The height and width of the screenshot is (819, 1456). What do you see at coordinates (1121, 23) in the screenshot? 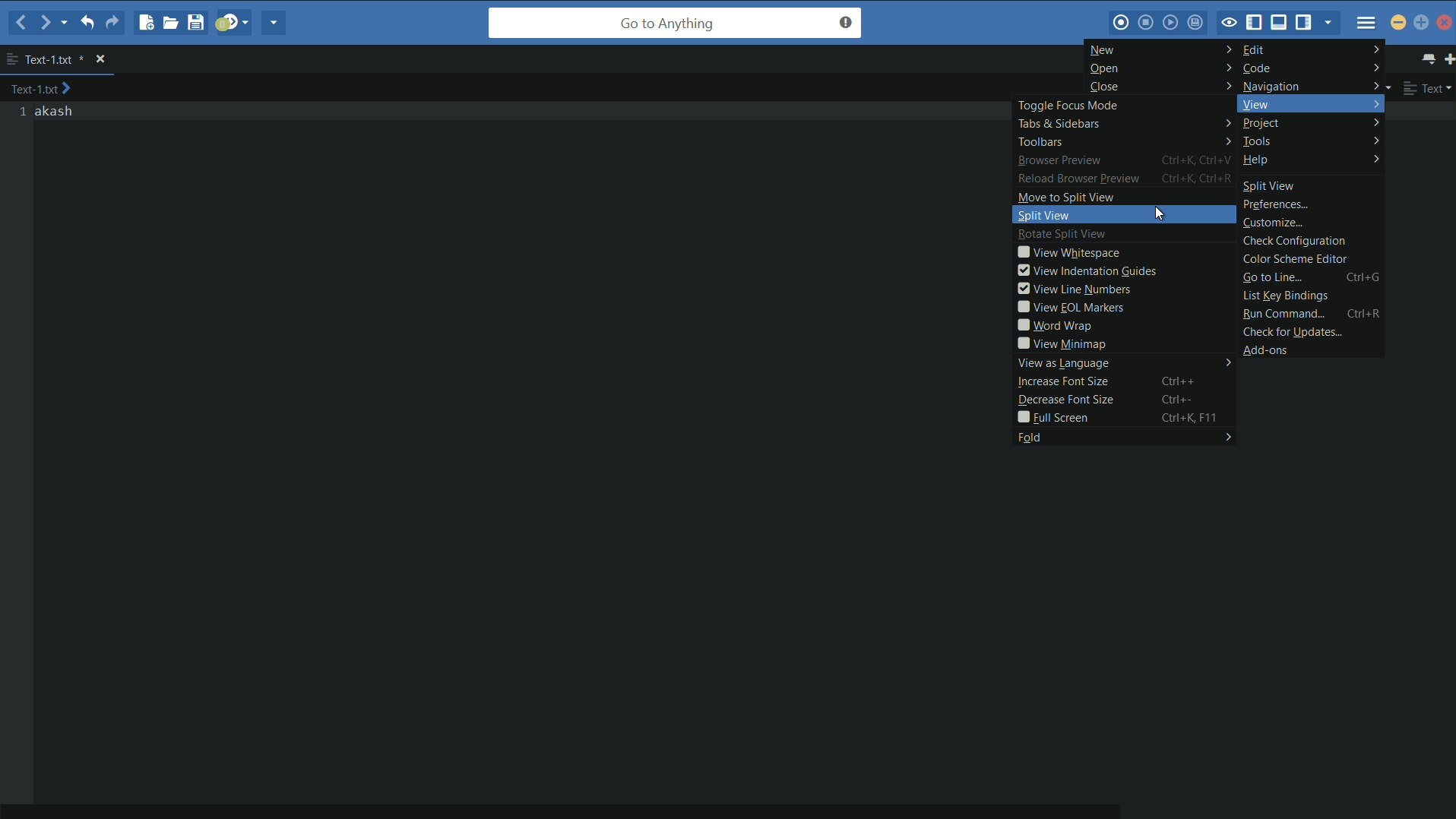
I see `record macro` at bounding box center [1121, 23].